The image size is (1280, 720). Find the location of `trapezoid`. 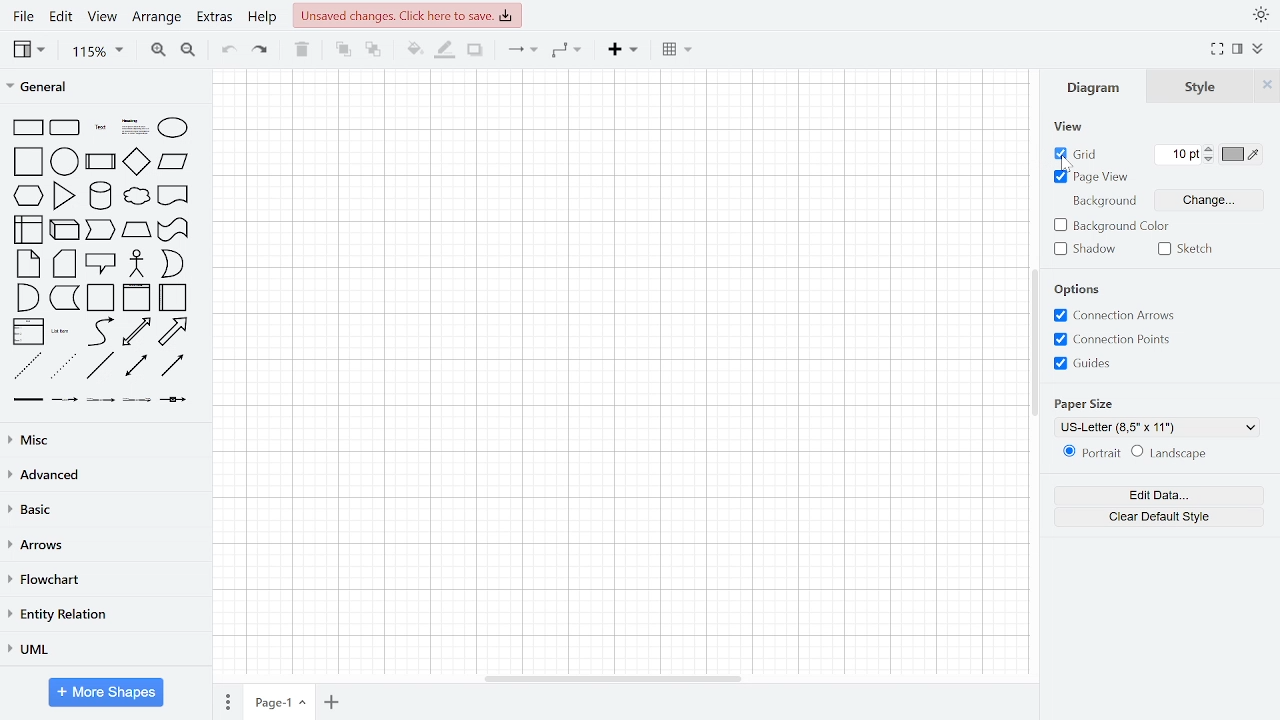

trapezoid is located at coordinates (138, 229).